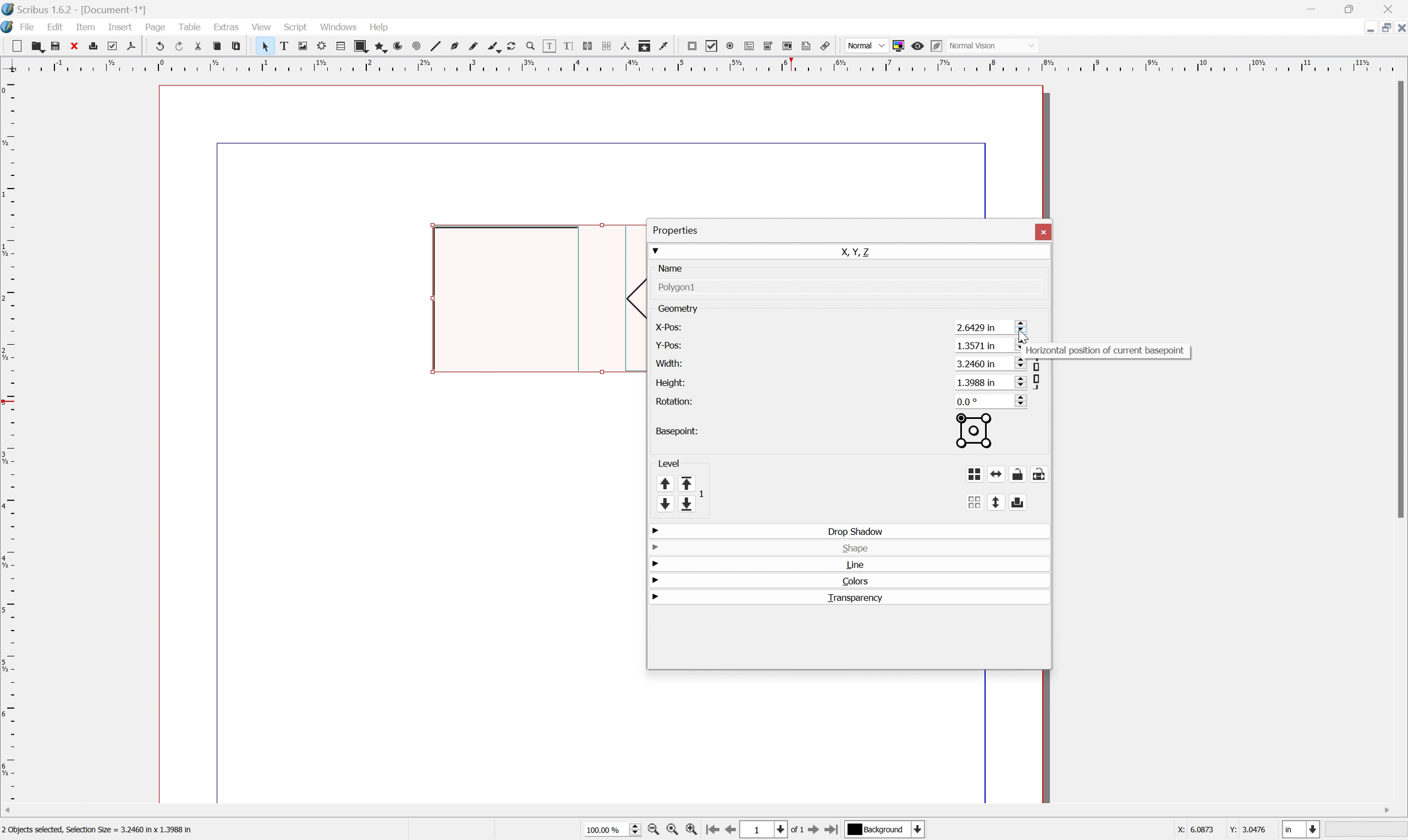 This screenshot has height=840, width=1408. What do you see at coordinates (12, 46) in the screenshot?
I see `new` at bounding box center [12, 46].